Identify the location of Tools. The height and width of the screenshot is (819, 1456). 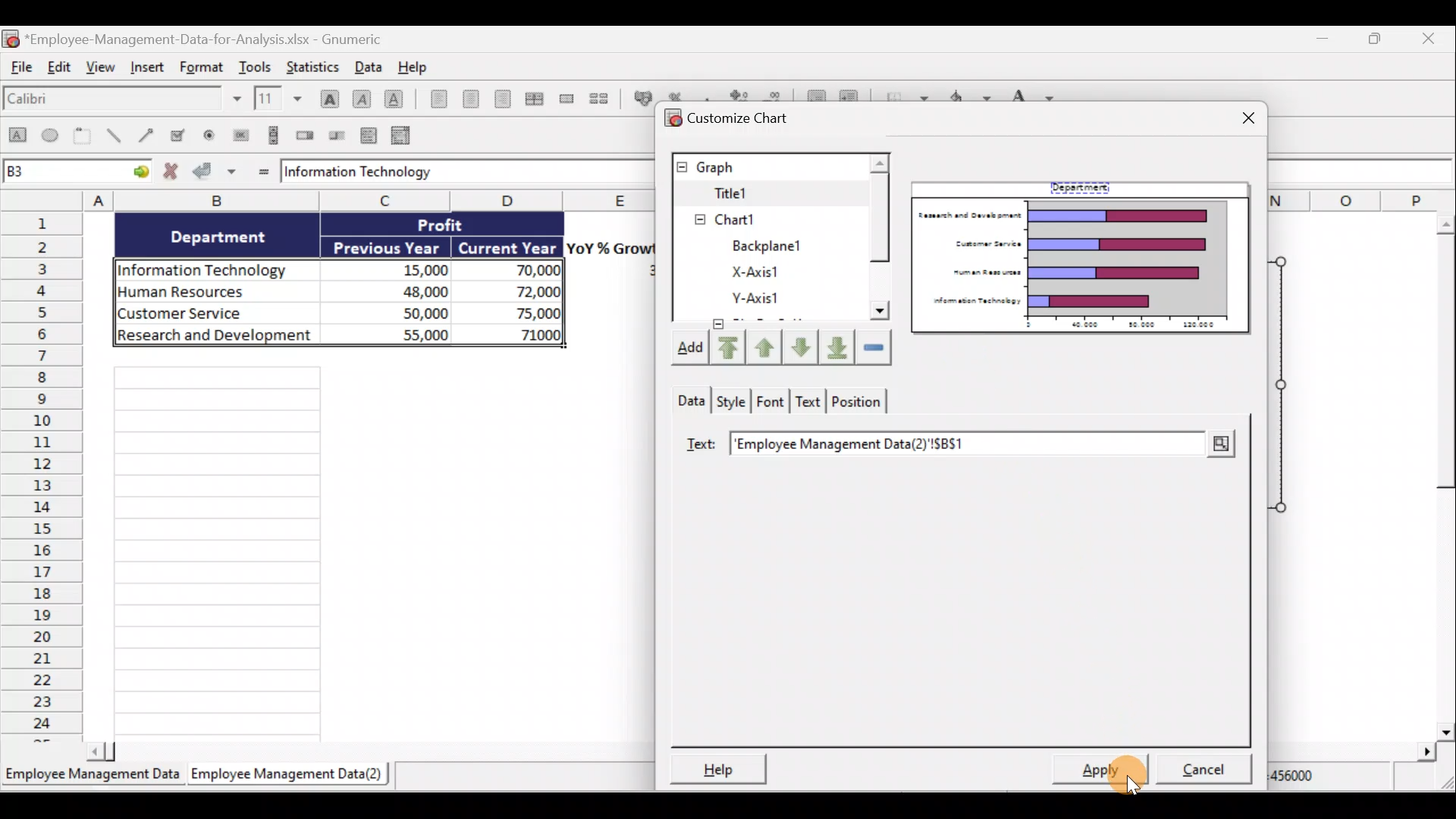
(256, 64).